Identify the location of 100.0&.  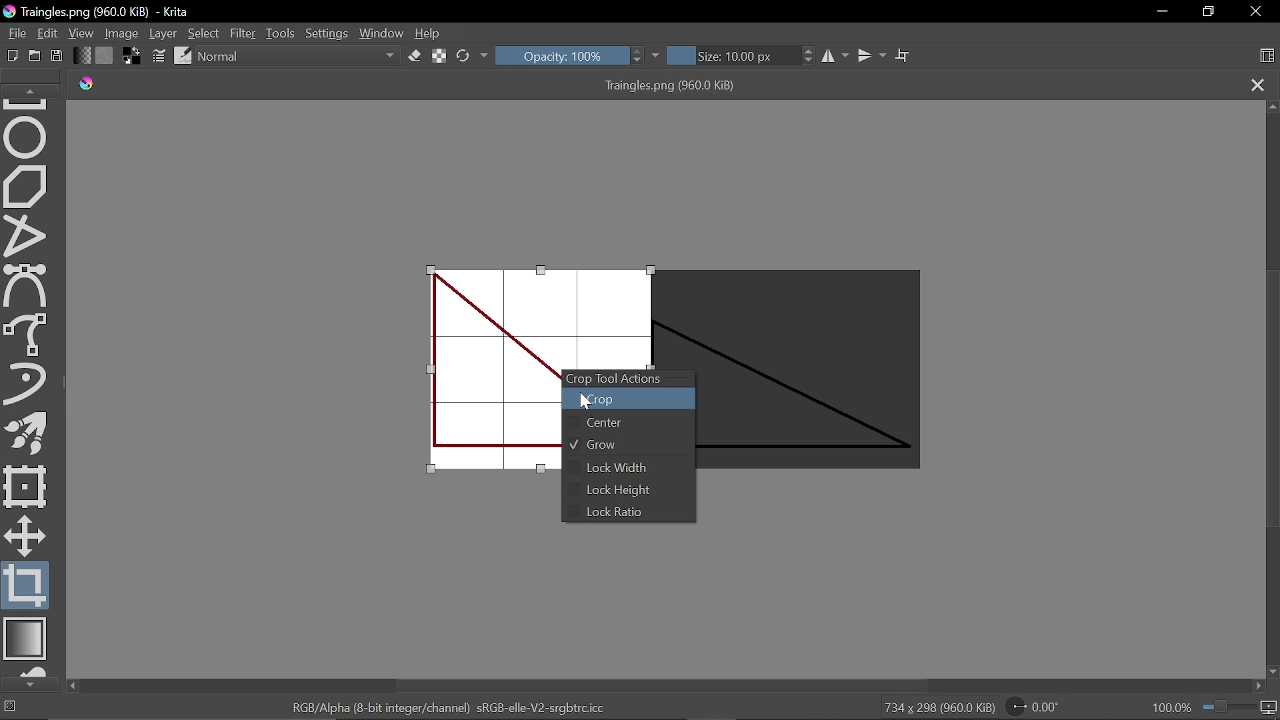
(1216, 705).